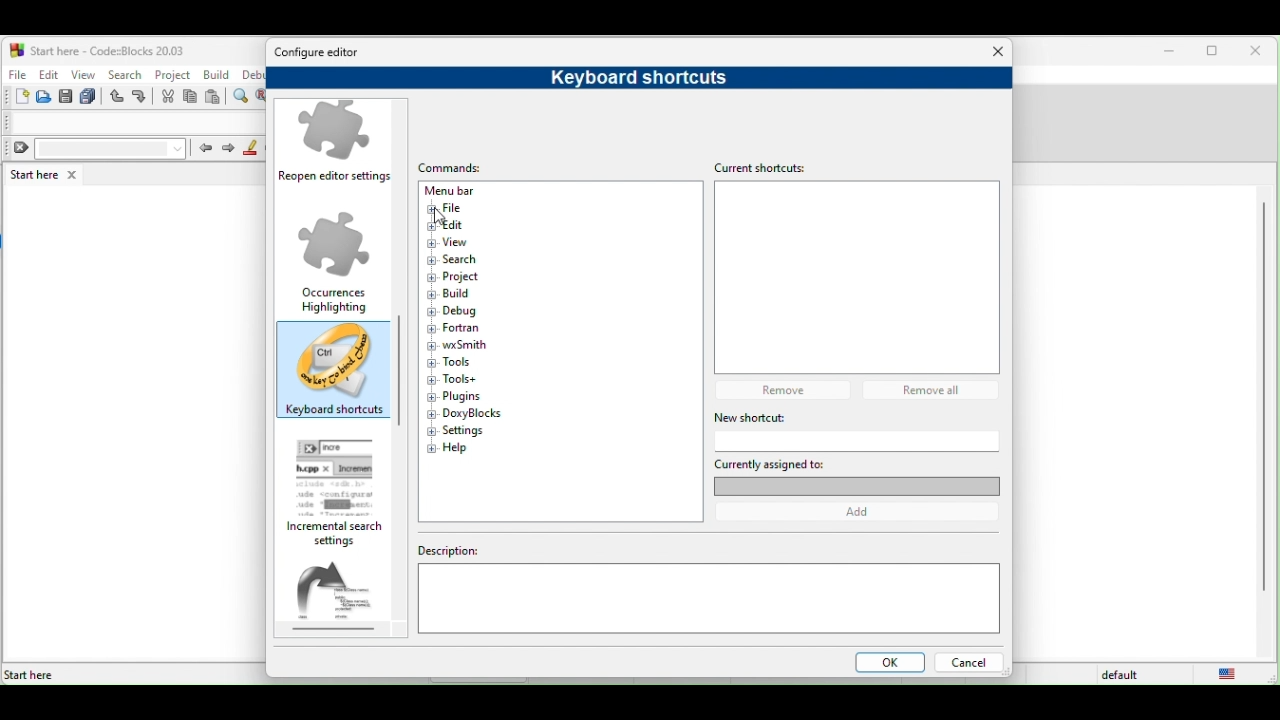 The height and width of the screenshot is (720, 1280). I want to click on Project, so click(468, 277).